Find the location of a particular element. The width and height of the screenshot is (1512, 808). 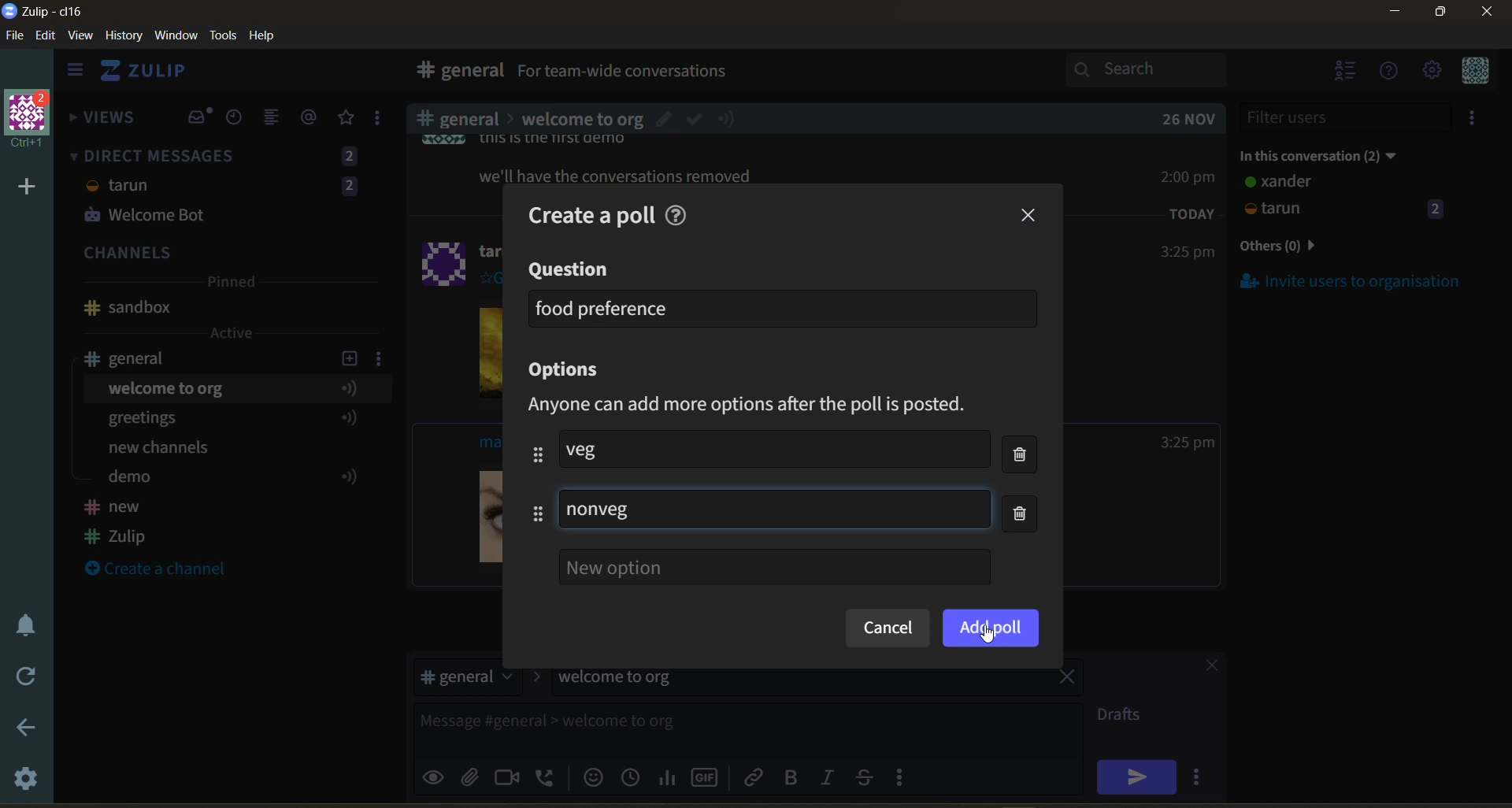

Channel name is located at coordinates (128, 308).